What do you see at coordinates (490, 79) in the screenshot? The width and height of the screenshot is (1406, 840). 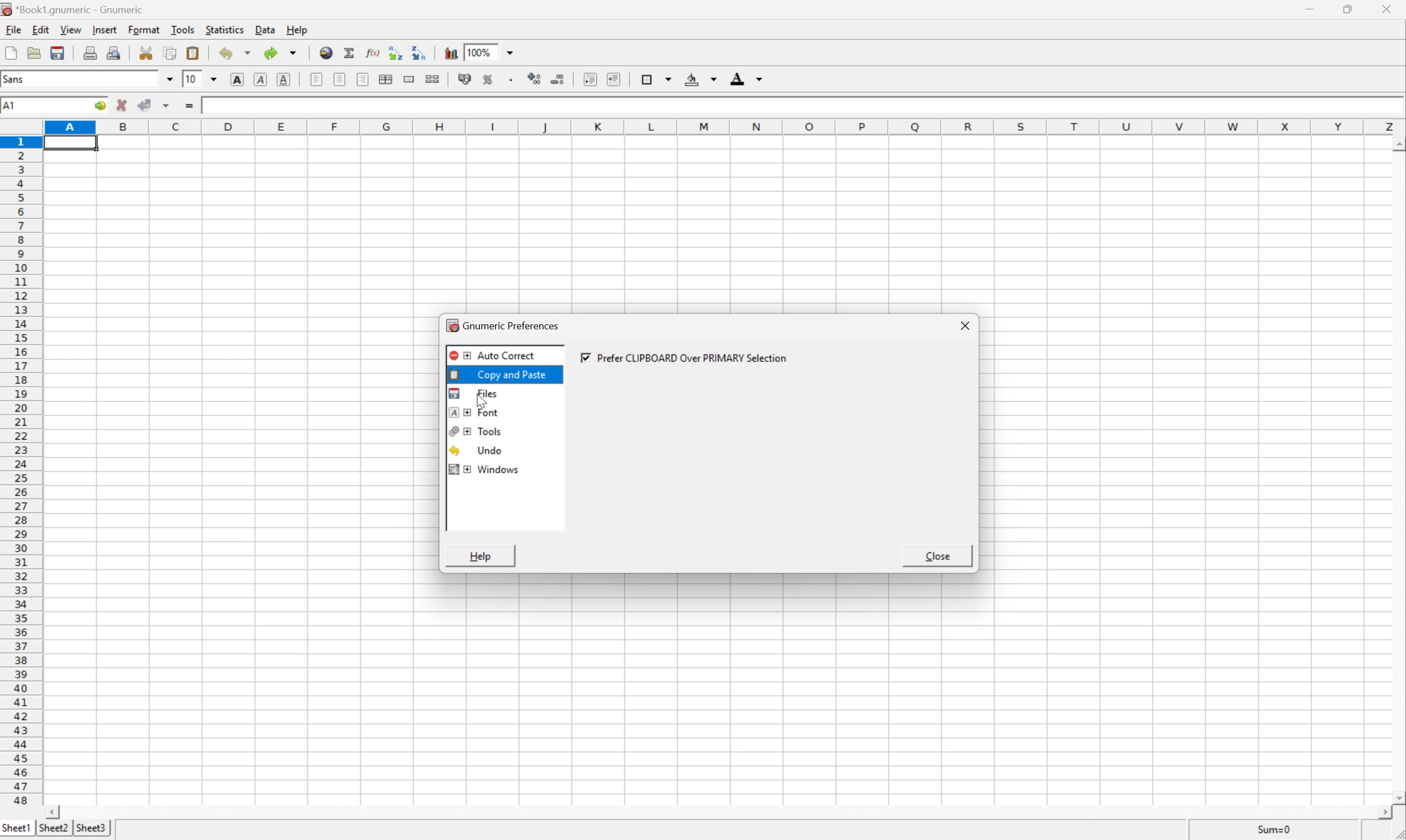 I see `format selection as percentage` at bounding box center [490, 79].